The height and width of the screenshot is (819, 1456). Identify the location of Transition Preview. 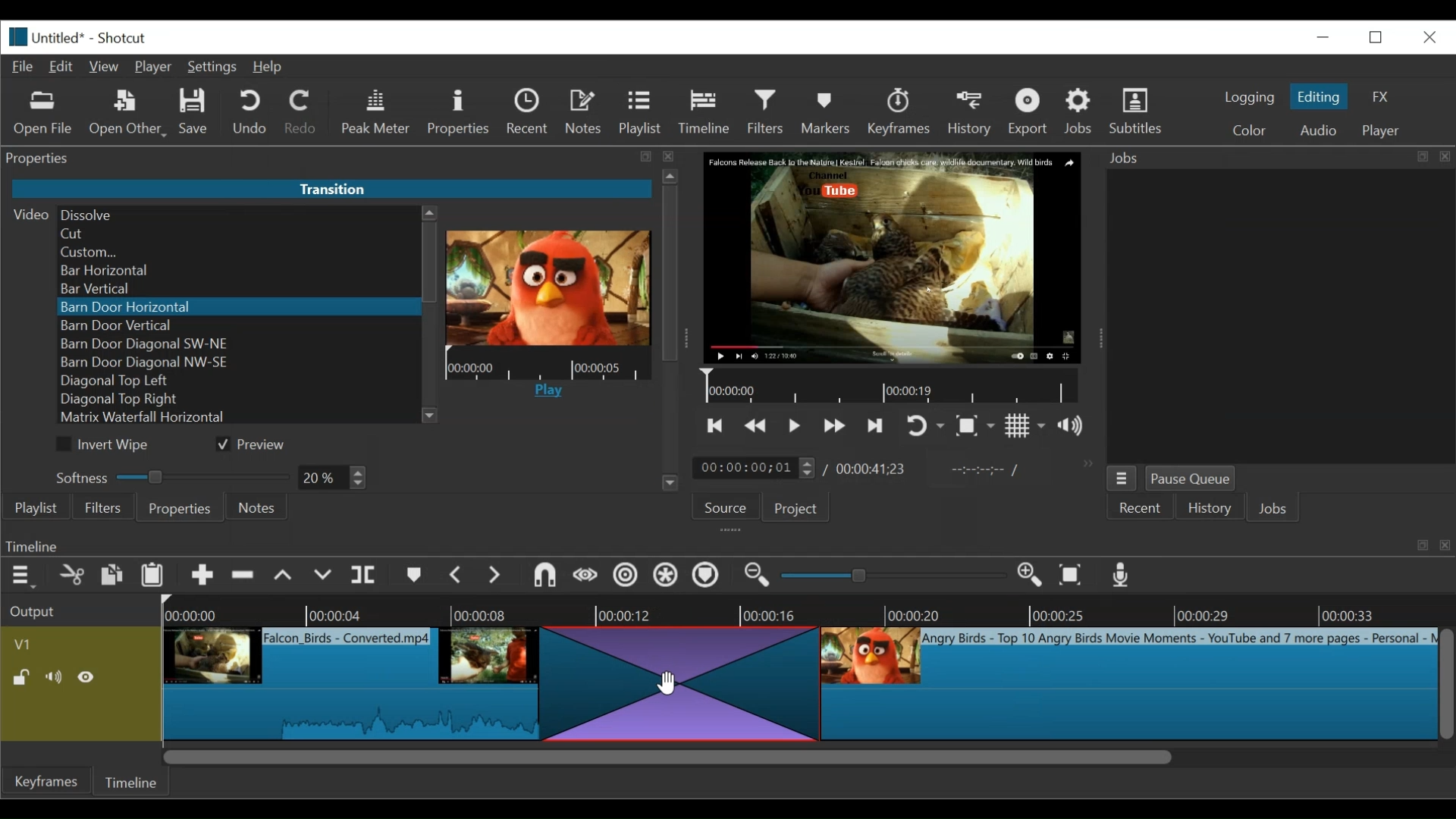
(547, 287).